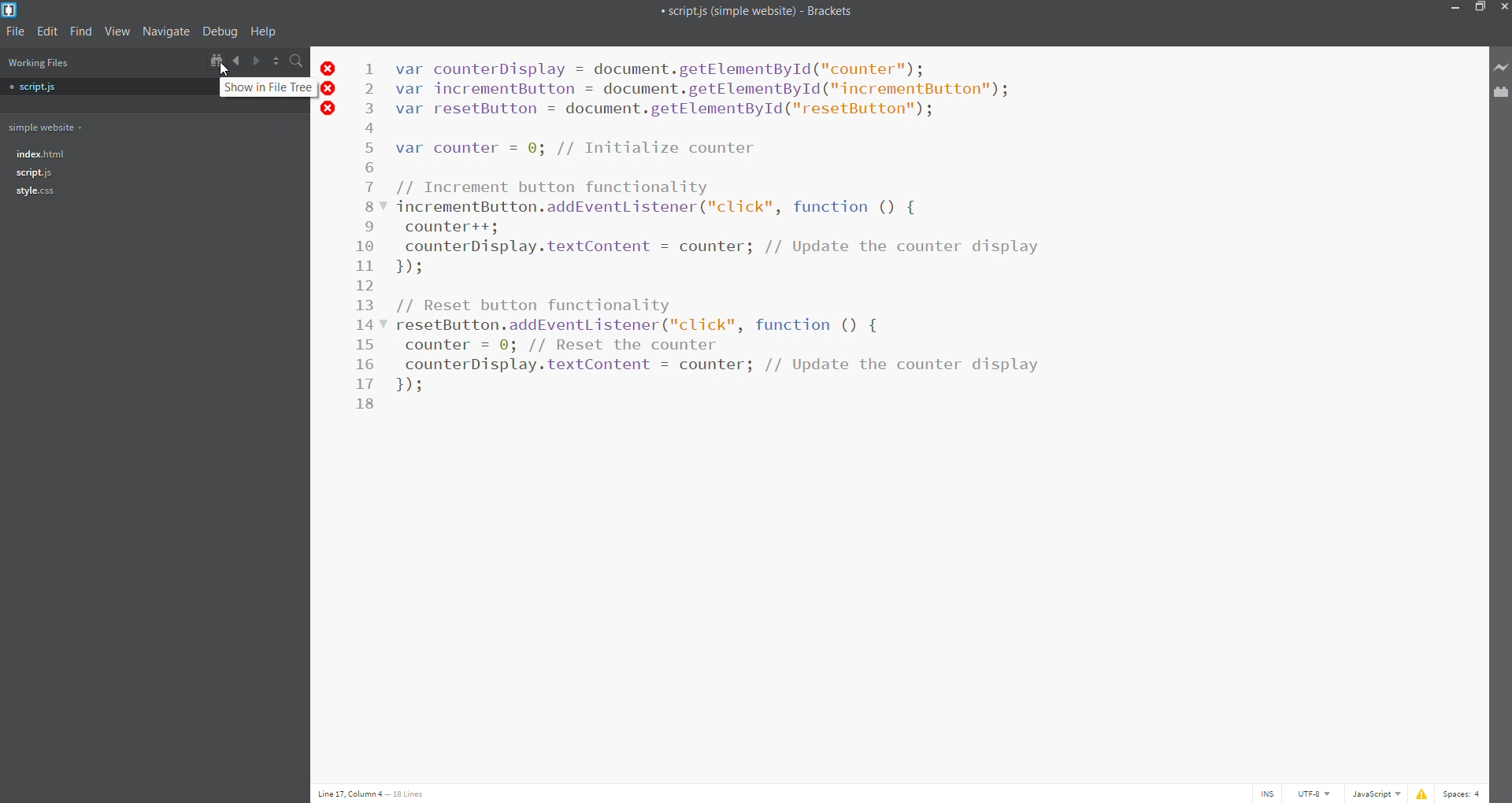 The image size is (1512, 803). I want to click on script.js, so click(46, 86).